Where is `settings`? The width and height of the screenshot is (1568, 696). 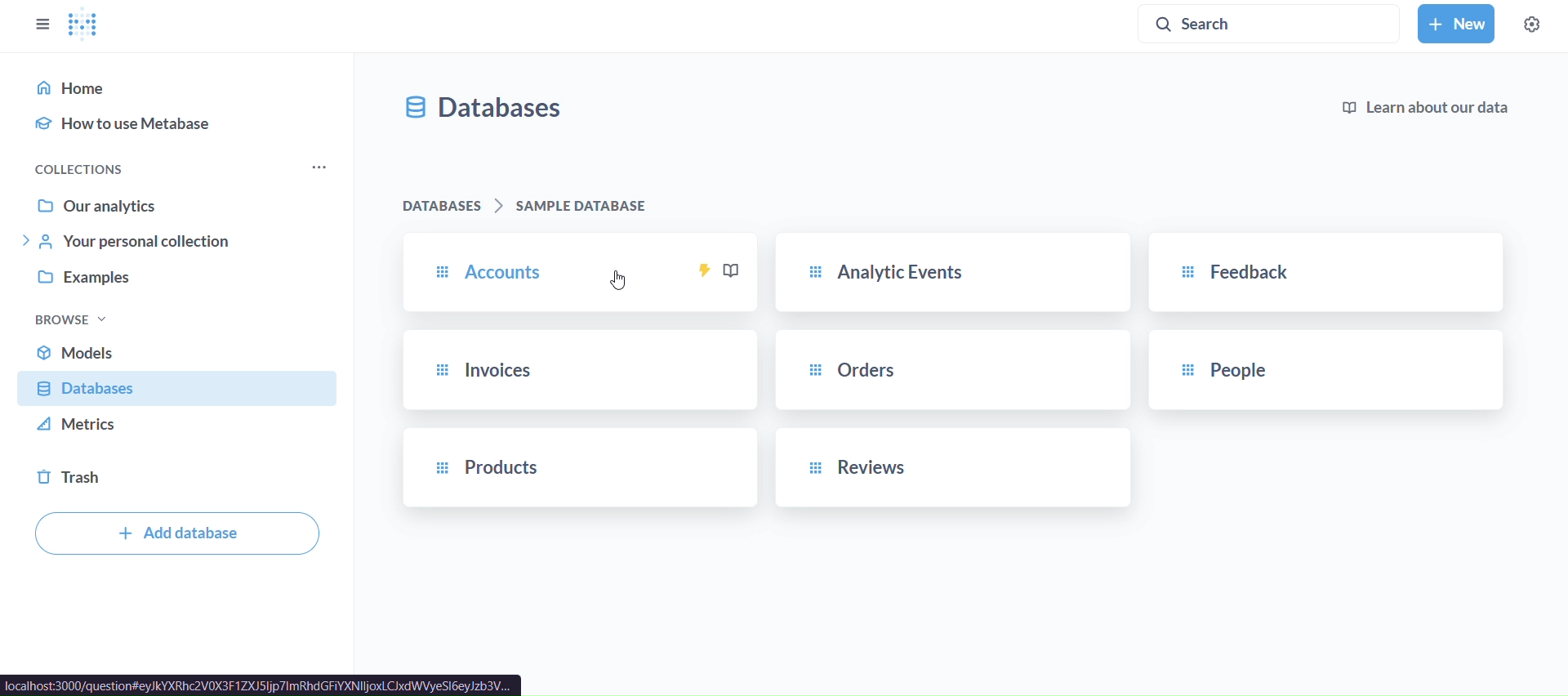
settings is located at coordinates (1532, 24).